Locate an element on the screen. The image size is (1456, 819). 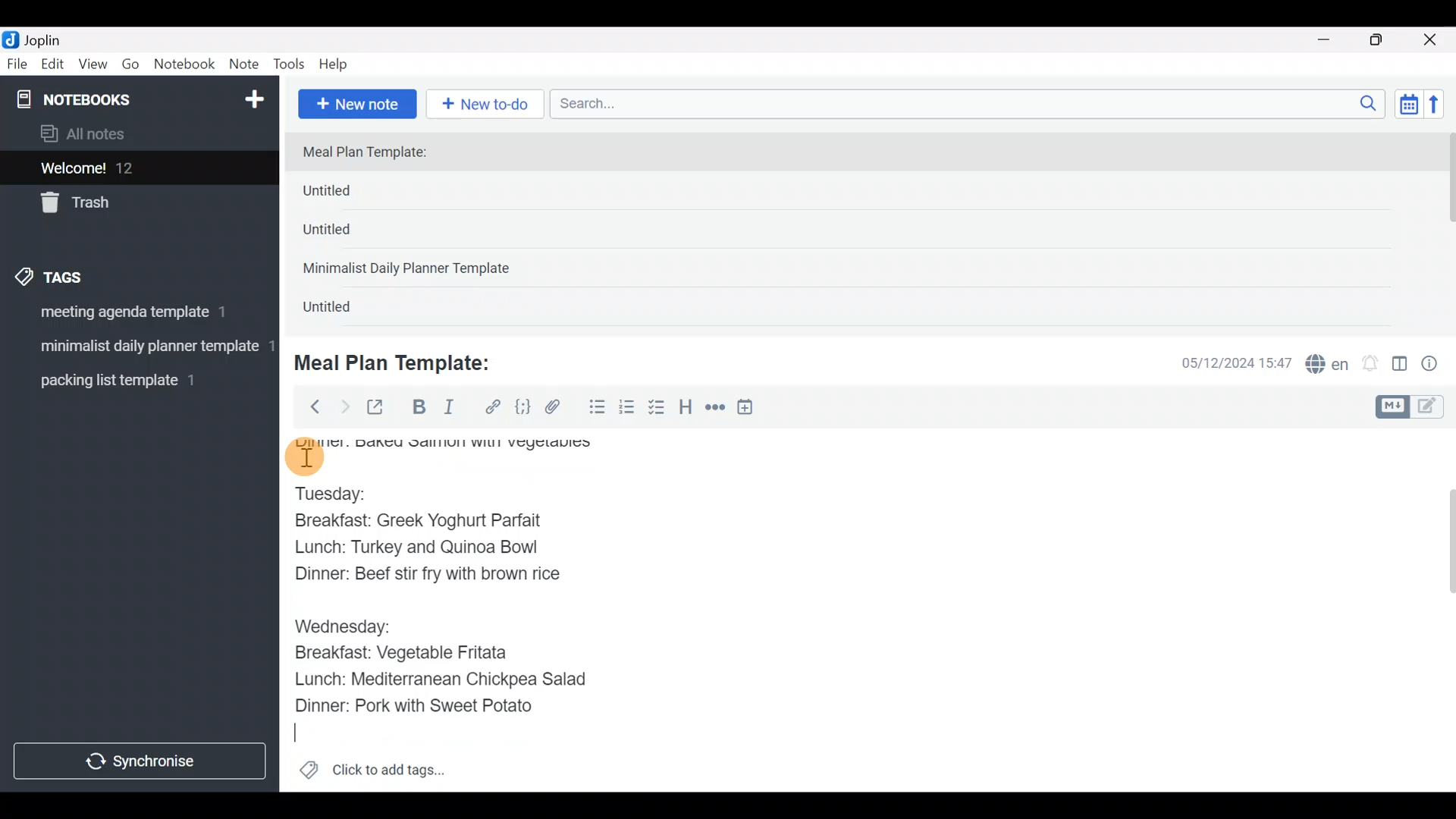
Go is located at coordinates (130, 67).